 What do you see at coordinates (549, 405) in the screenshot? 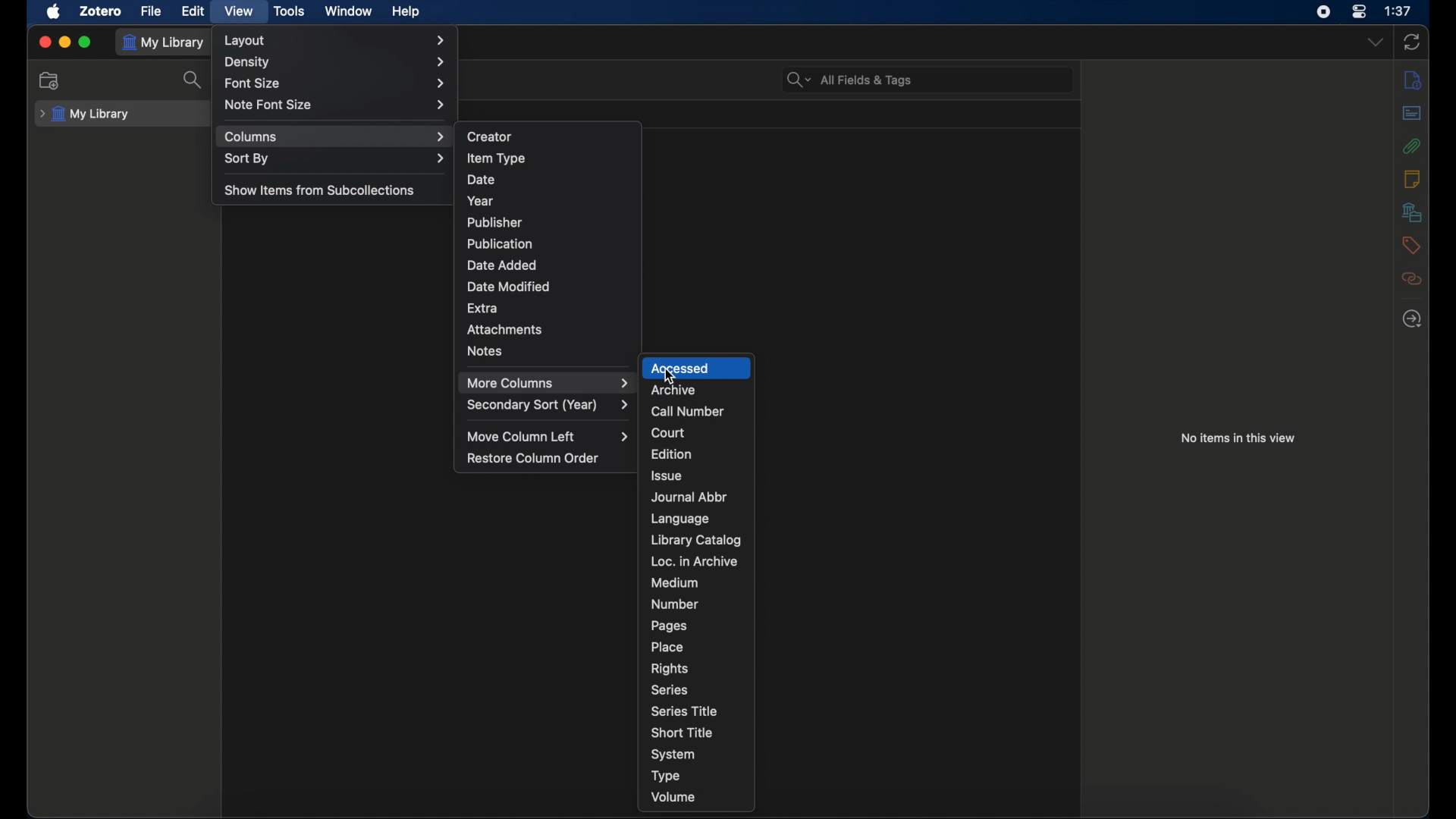
I see `secondary sort` at bounding box center [549, 405].